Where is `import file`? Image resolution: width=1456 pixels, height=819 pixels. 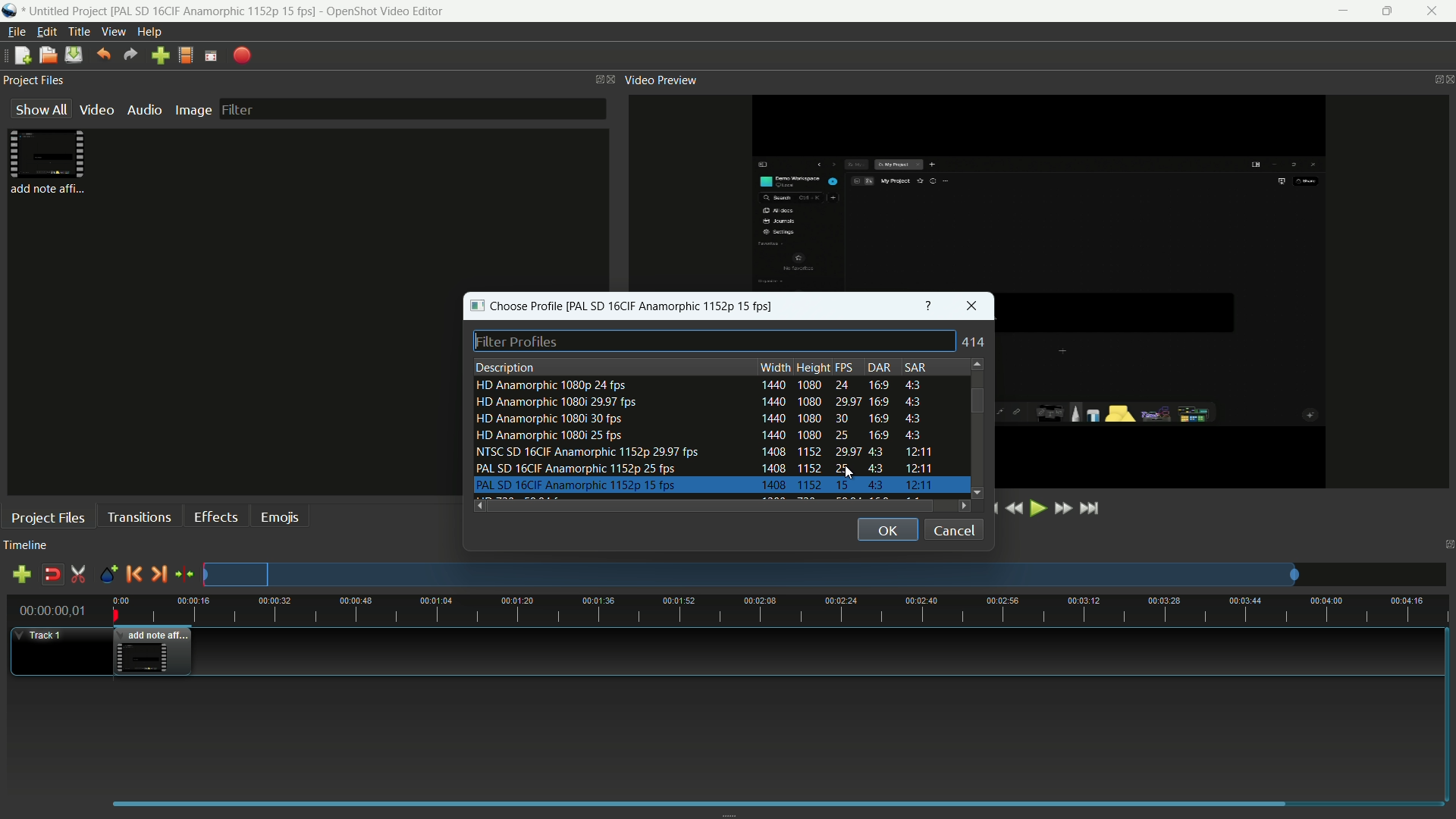
import file is located at coordinates (160, 55).